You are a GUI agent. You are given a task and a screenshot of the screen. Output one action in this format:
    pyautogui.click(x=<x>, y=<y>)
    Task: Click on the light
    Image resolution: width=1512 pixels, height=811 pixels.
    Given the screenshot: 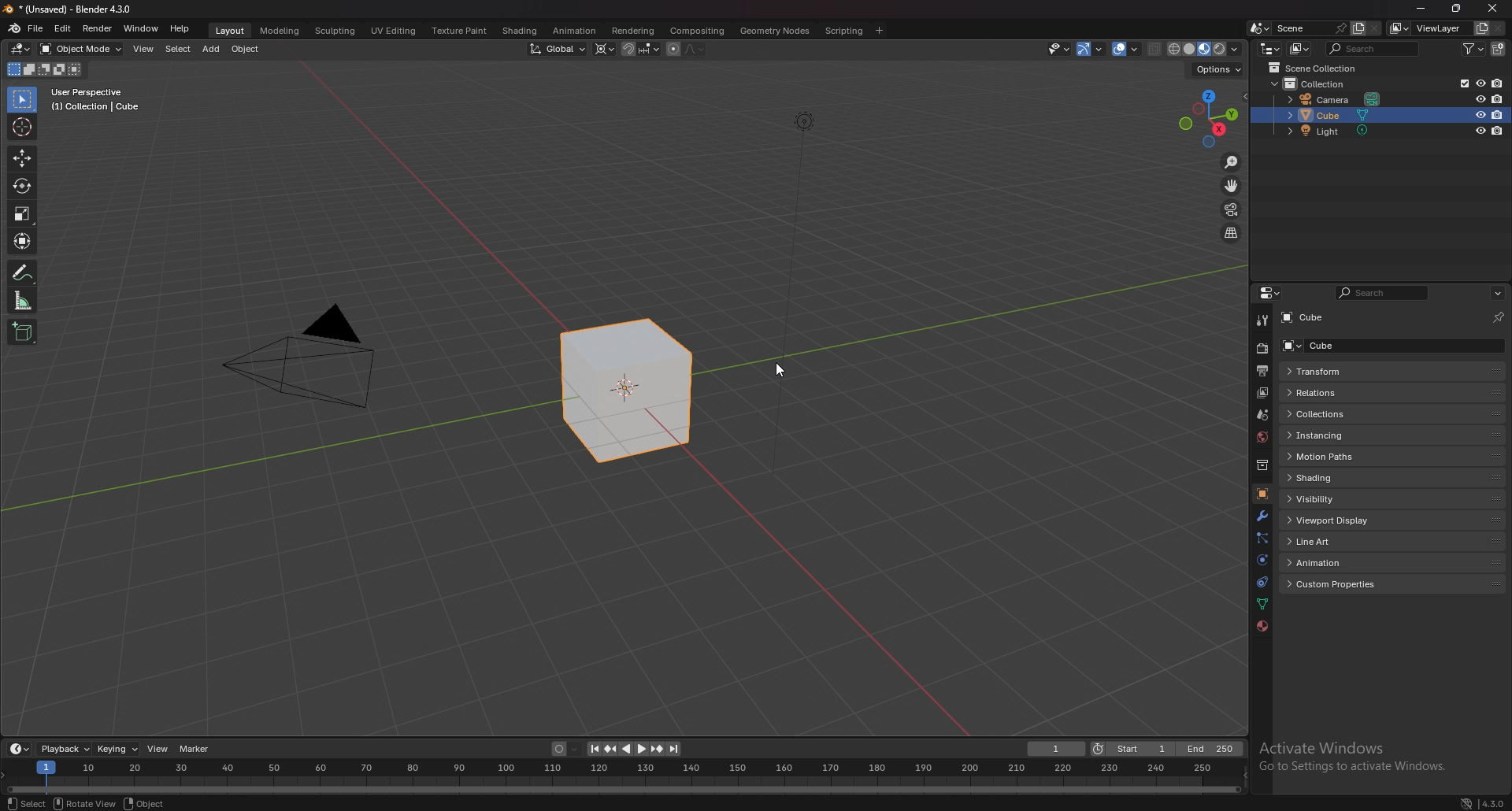 What is the action you would take?
    pyautogui.click(x=1332, y=131)
    